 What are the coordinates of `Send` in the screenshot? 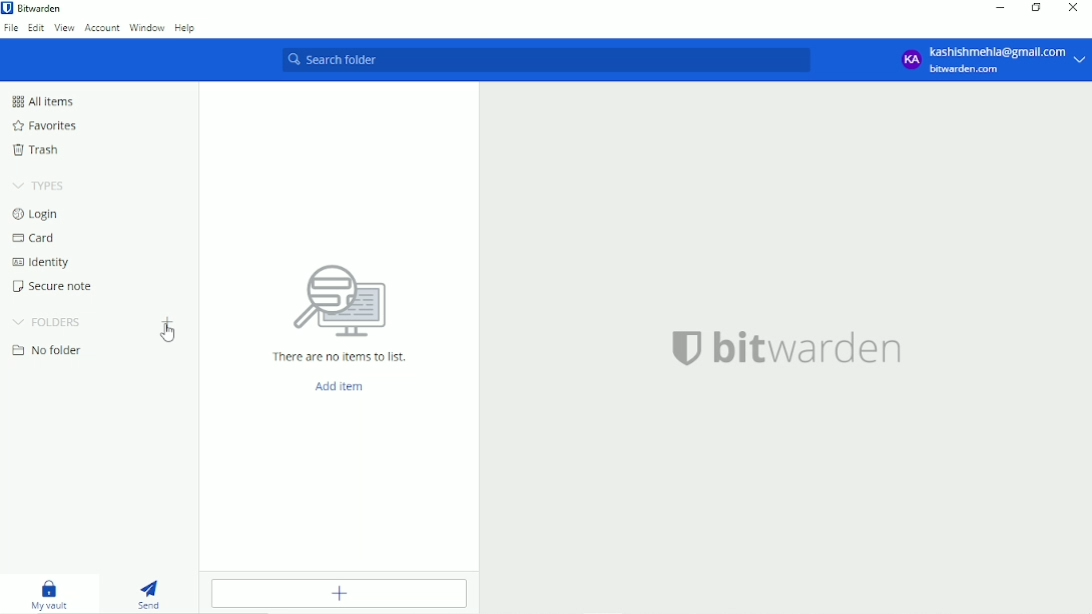 It's located at (154, 594).